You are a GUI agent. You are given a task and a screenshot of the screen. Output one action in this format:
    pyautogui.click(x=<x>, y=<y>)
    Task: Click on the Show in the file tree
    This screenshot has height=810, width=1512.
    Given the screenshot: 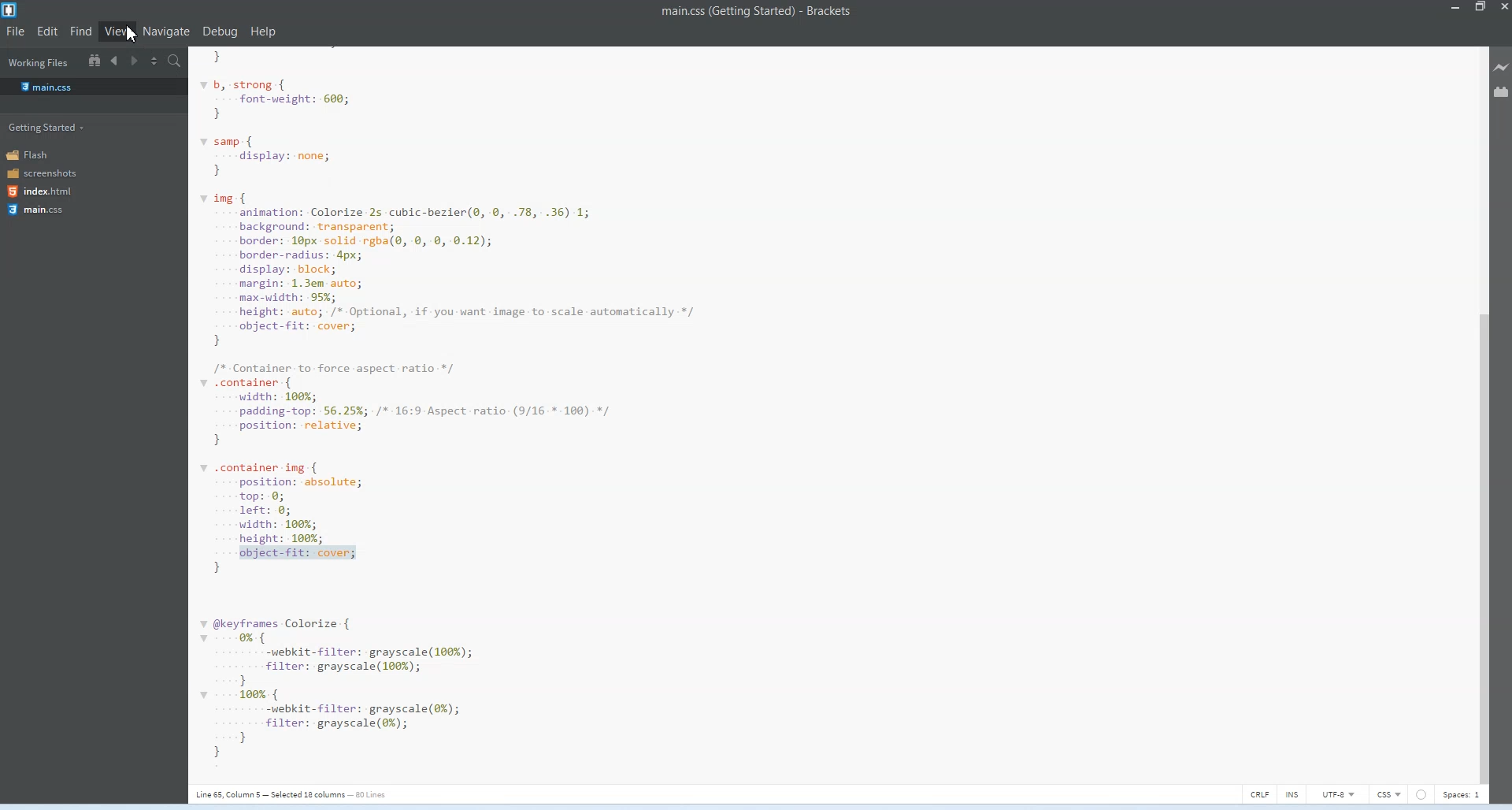 What is the action you would take?
    pyautogui.click(x=94, y=60)
    